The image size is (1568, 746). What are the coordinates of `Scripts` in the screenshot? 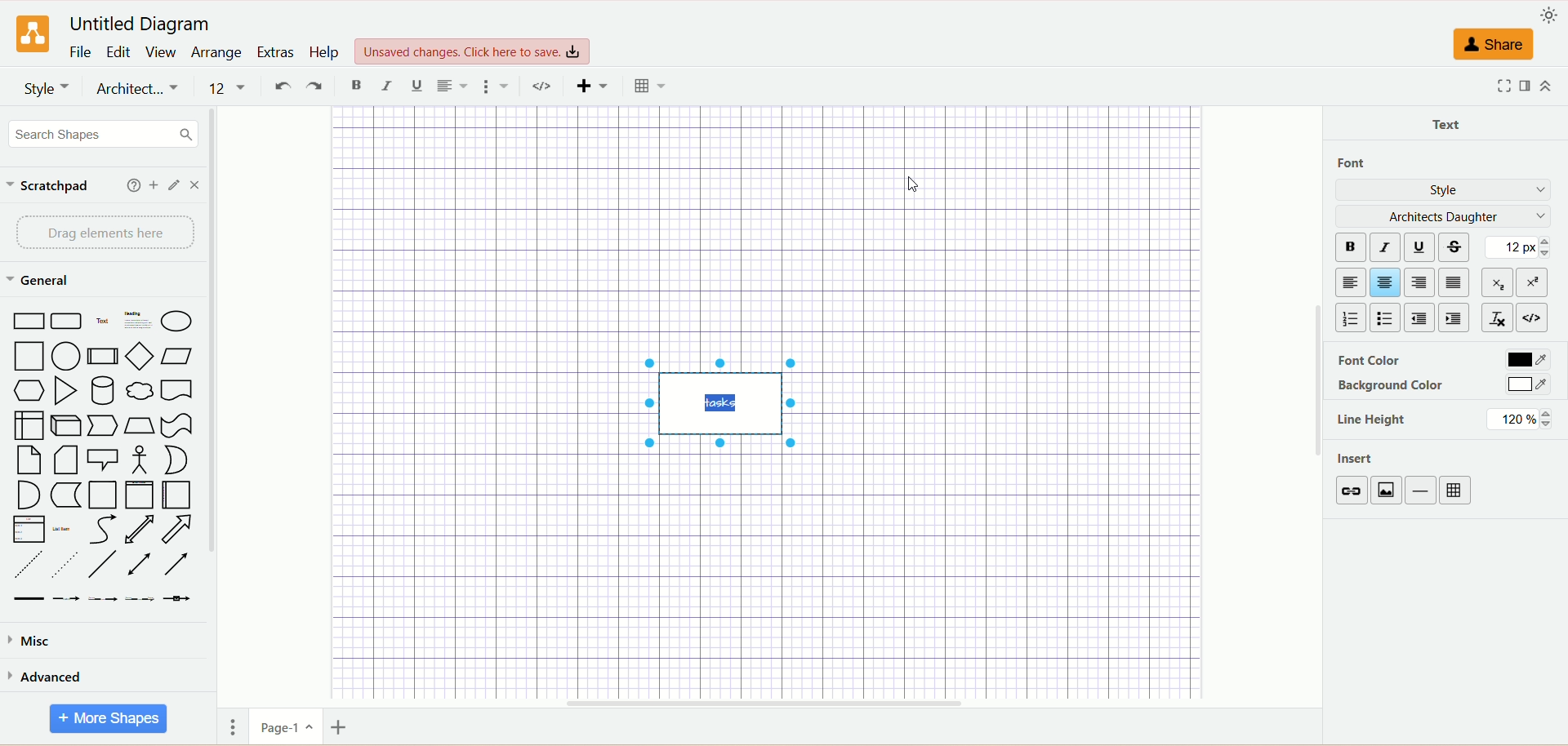 It's located at (546, 87).